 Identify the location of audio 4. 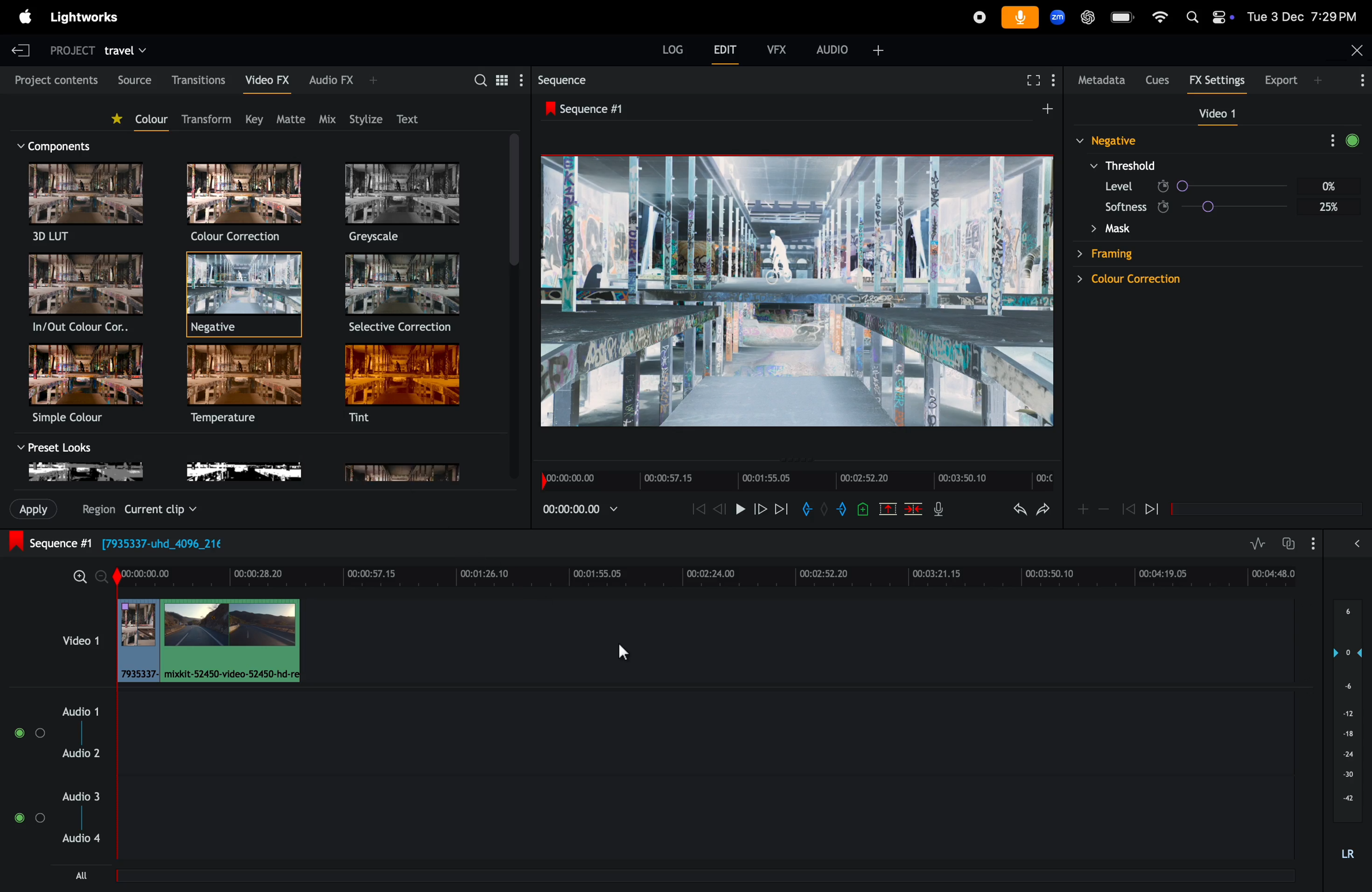
(88, 840).